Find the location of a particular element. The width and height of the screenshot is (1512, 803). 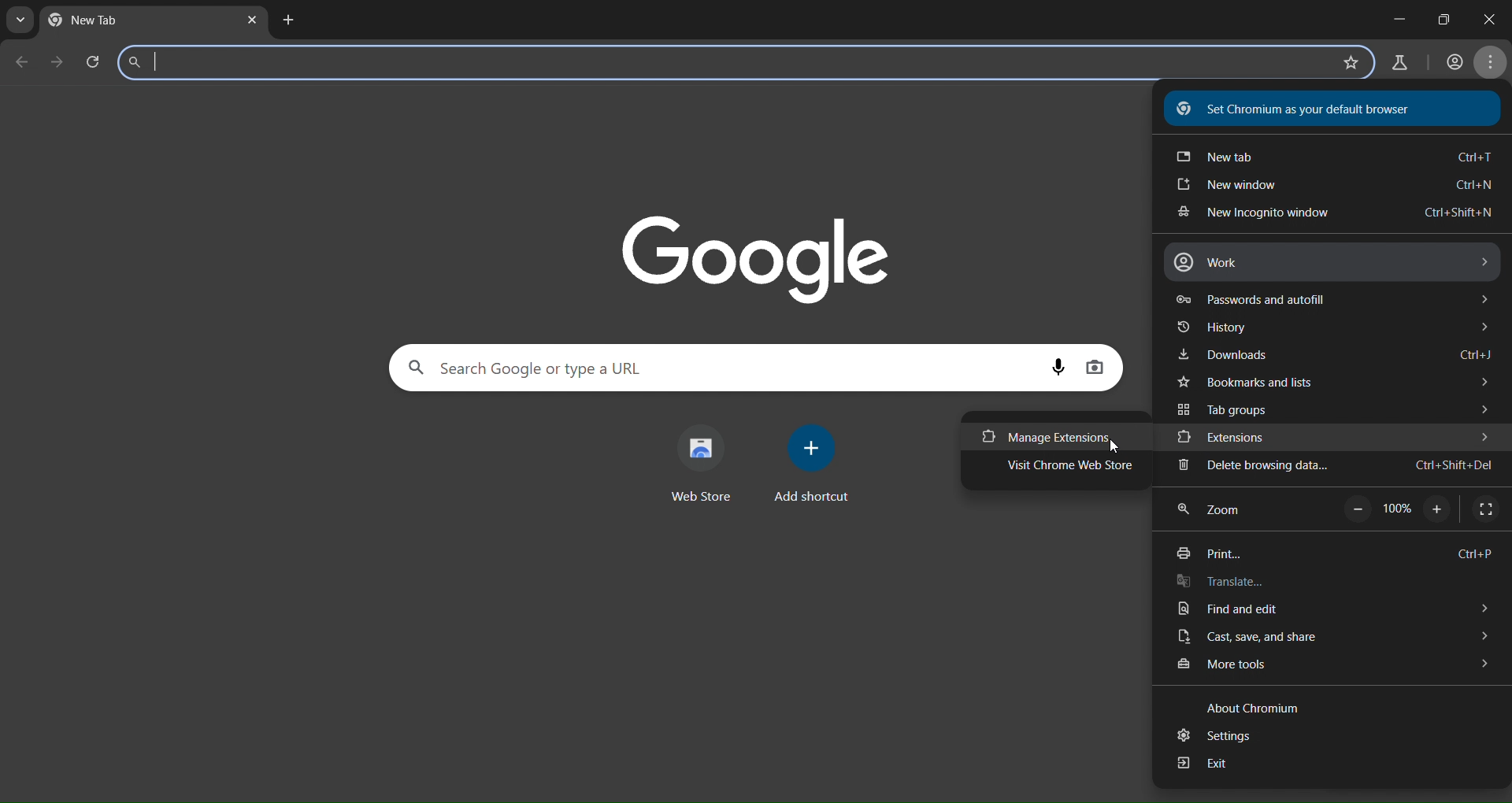

Google is located at coordinates (751, 253).